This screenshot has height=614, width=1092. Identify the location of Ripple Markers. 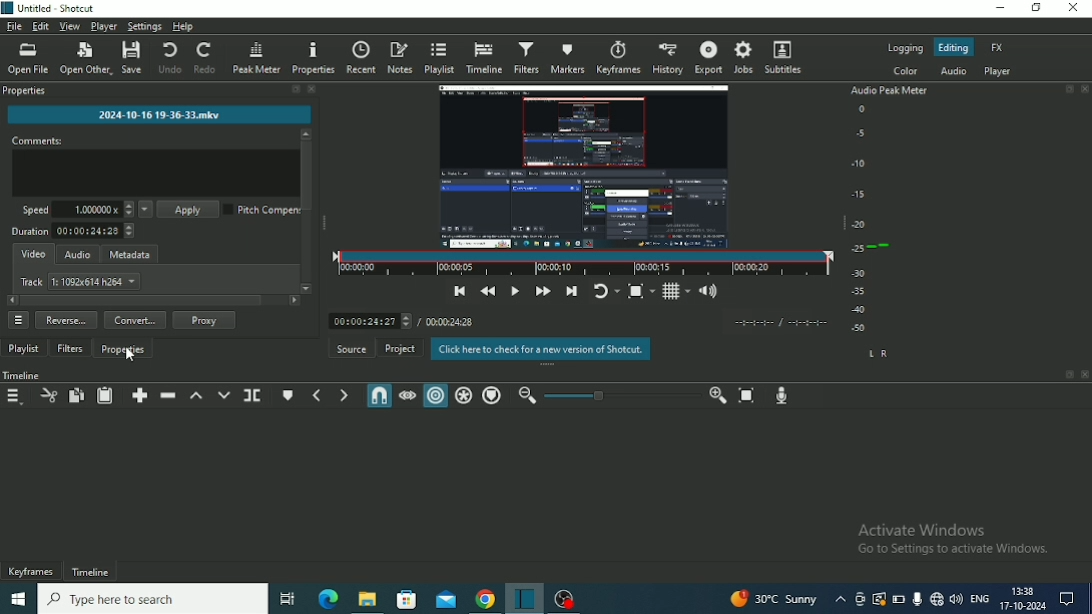
(492, 396).